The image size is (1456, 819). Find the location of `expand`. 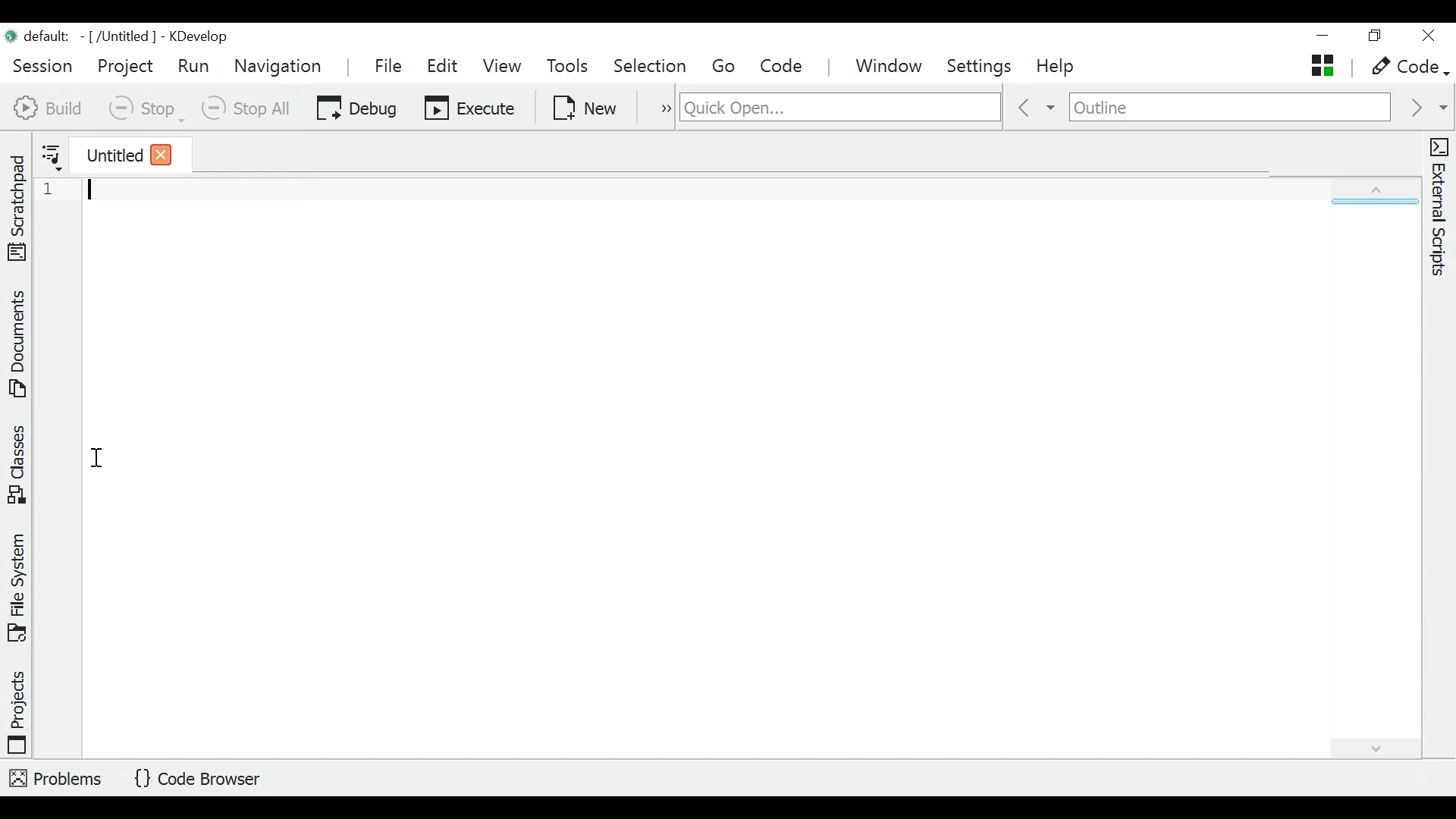

expand is located at coordinates (1357, 196).